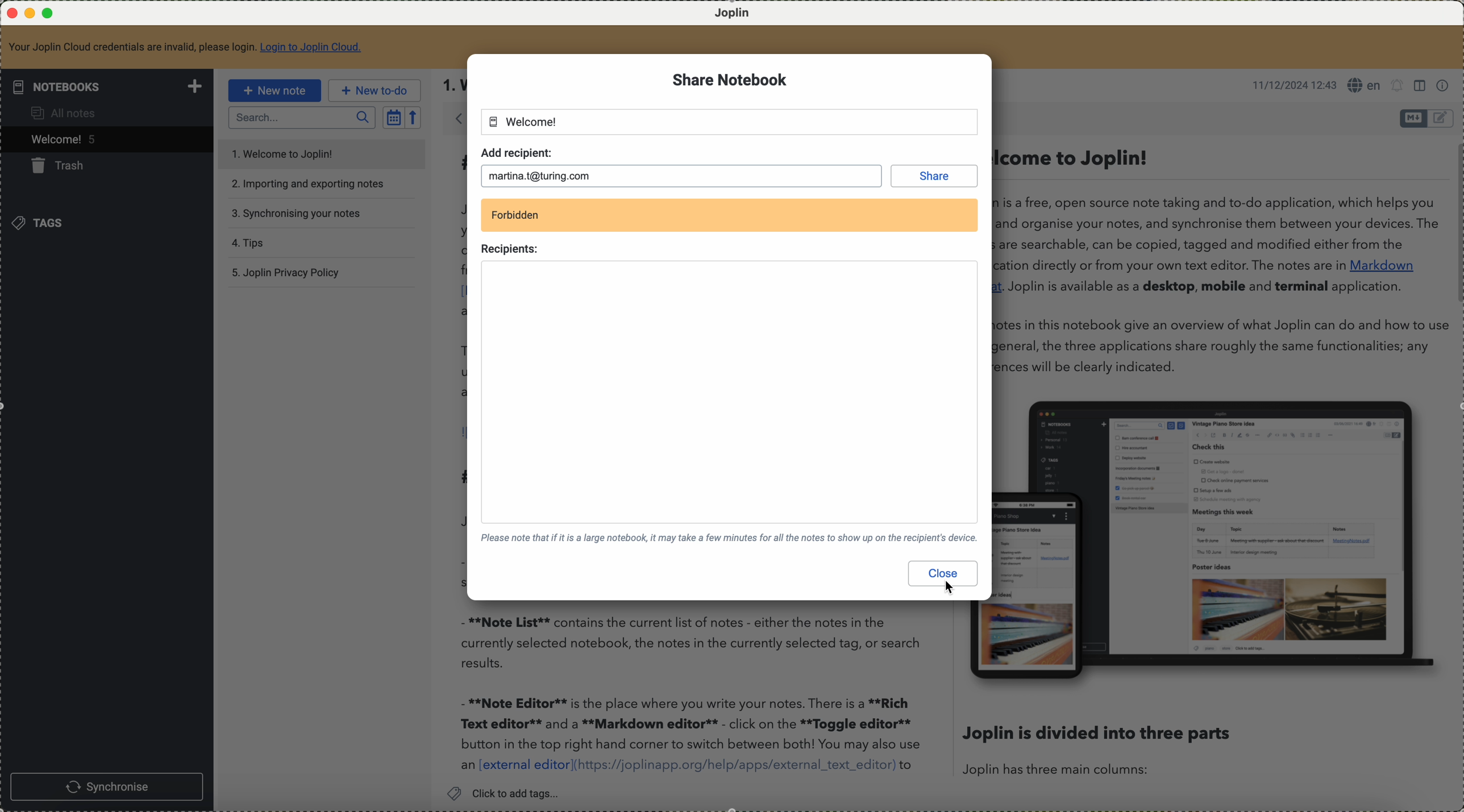  What do you see at coordinates (734, 14) in the screenshot?
I see `Joplin` at bounding box center [734, 14].